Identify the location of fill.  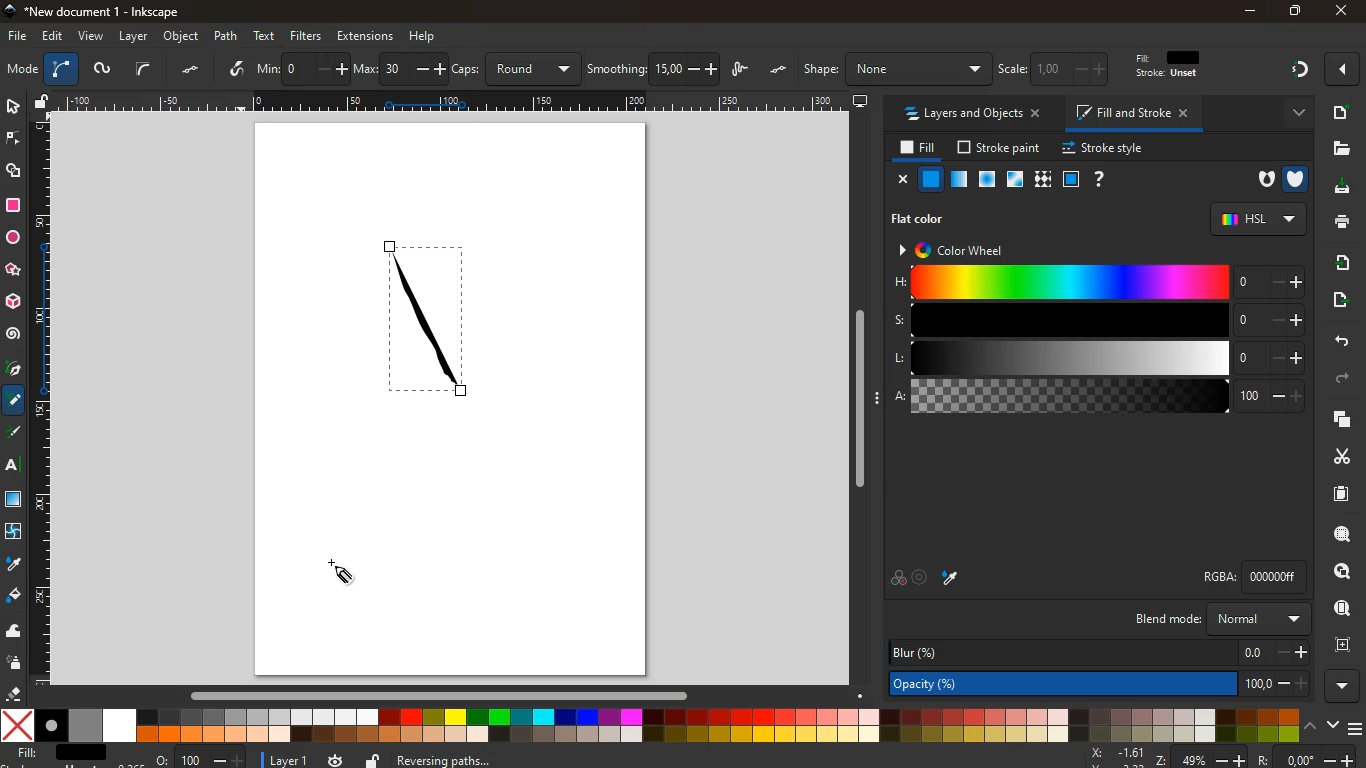
(919, 149).